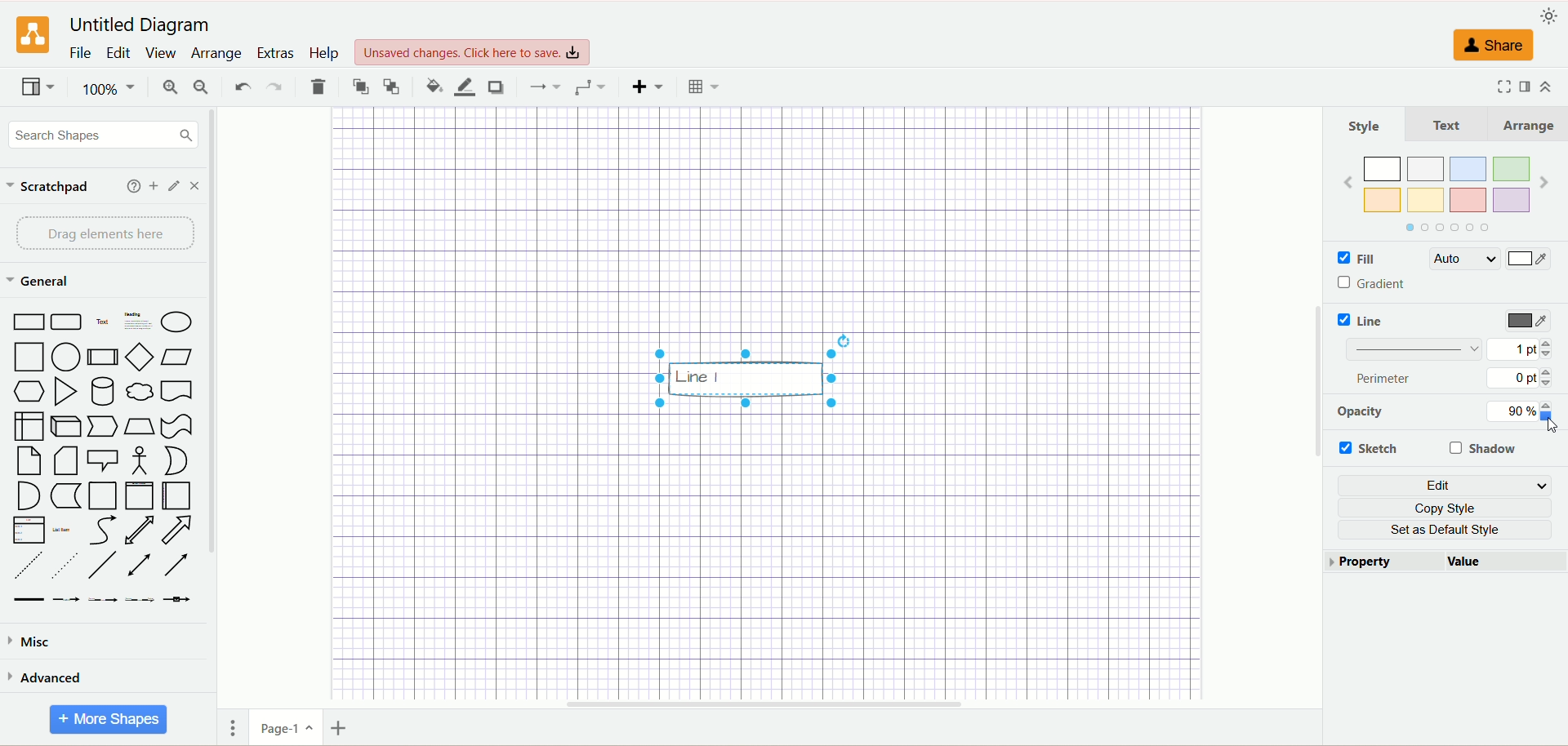 The width and height of the screenshot is (1568, 746). Describe the element at coordinates (217, 54) in the screenshot. I see `arrange` at that location.